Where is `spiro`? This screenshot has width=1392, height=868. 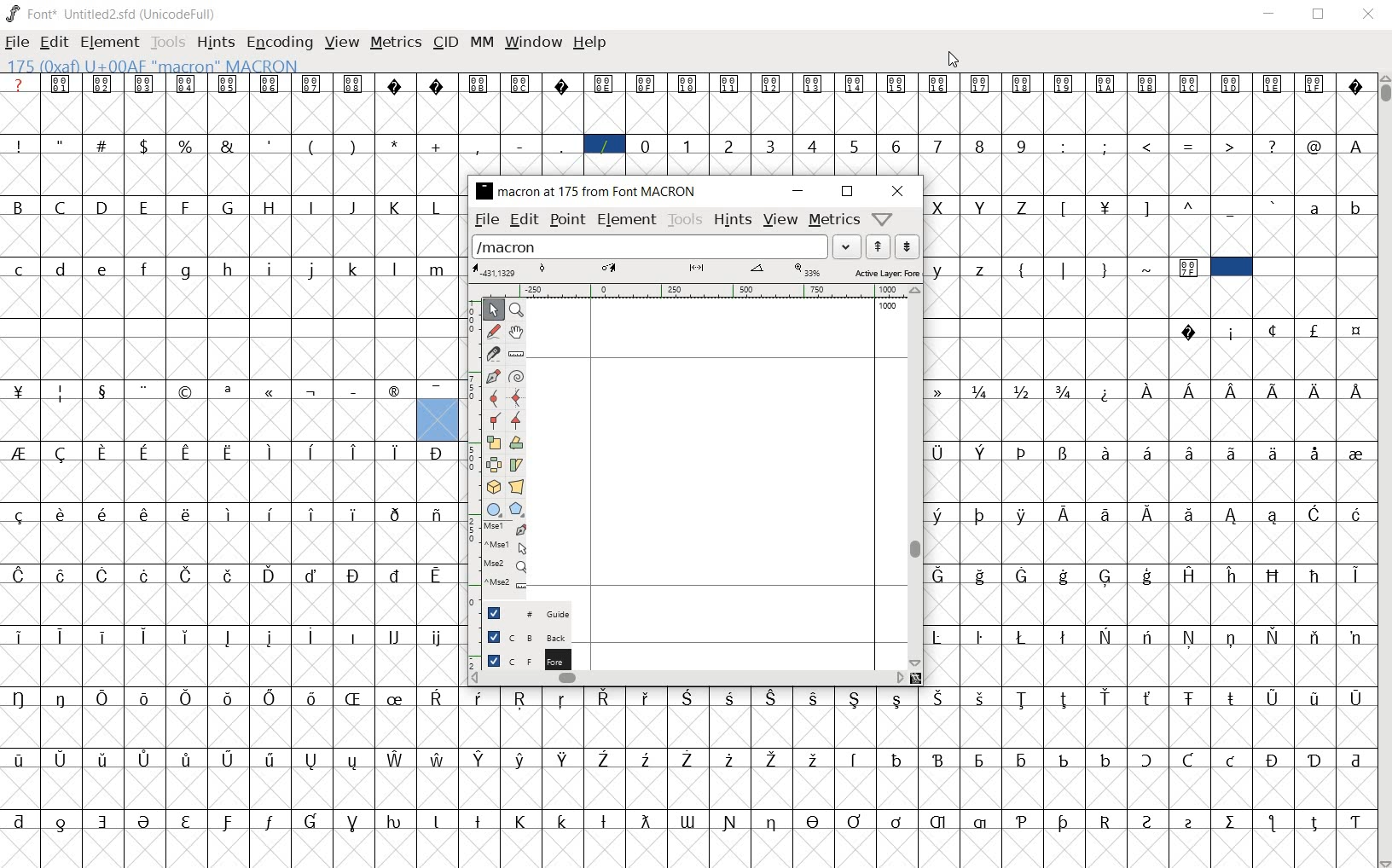 spiro is located at coordinates (517, 374).